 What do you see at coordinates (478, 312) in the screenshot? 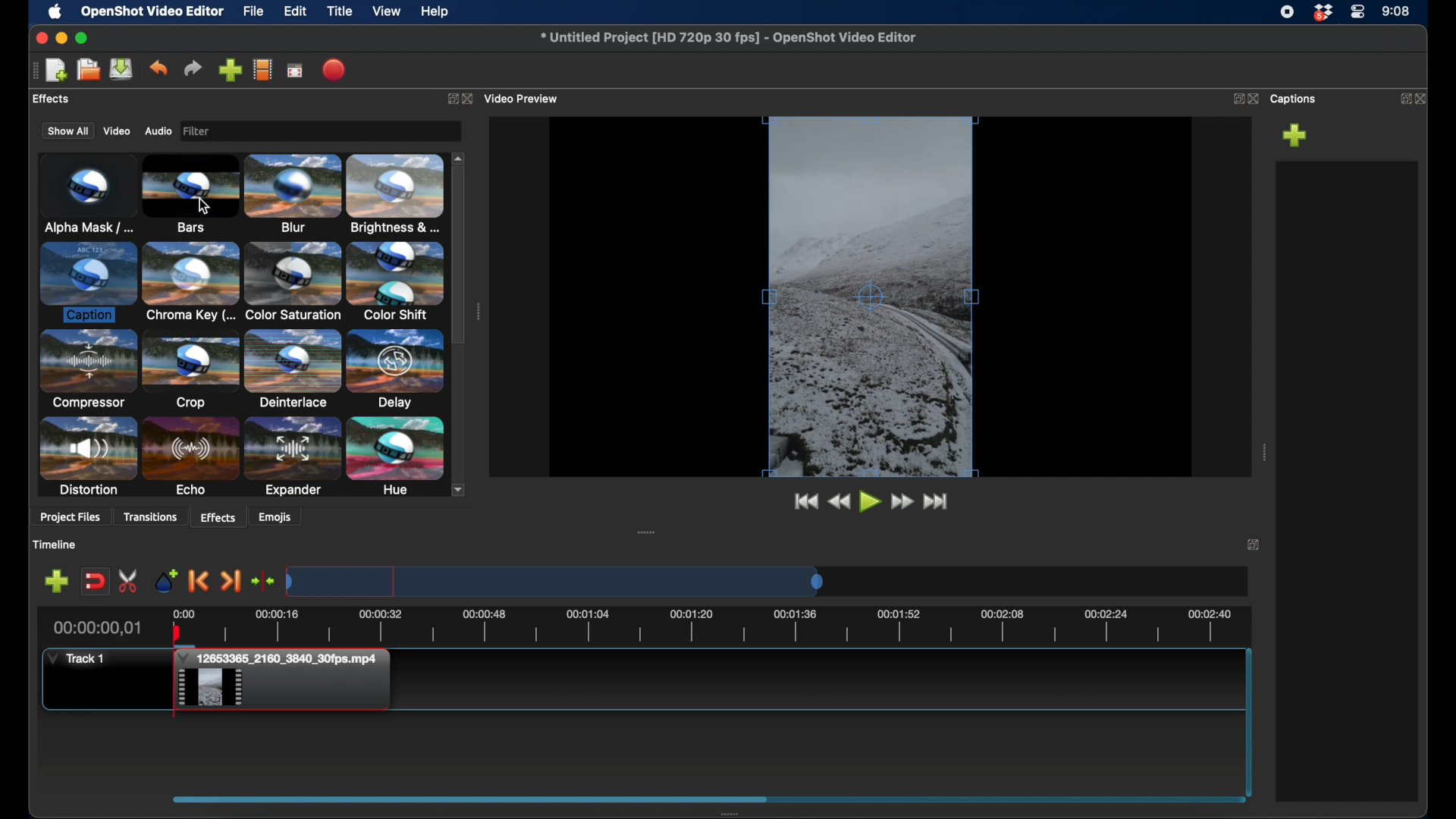
I see `drag handle` at bounding box center [478, 312].